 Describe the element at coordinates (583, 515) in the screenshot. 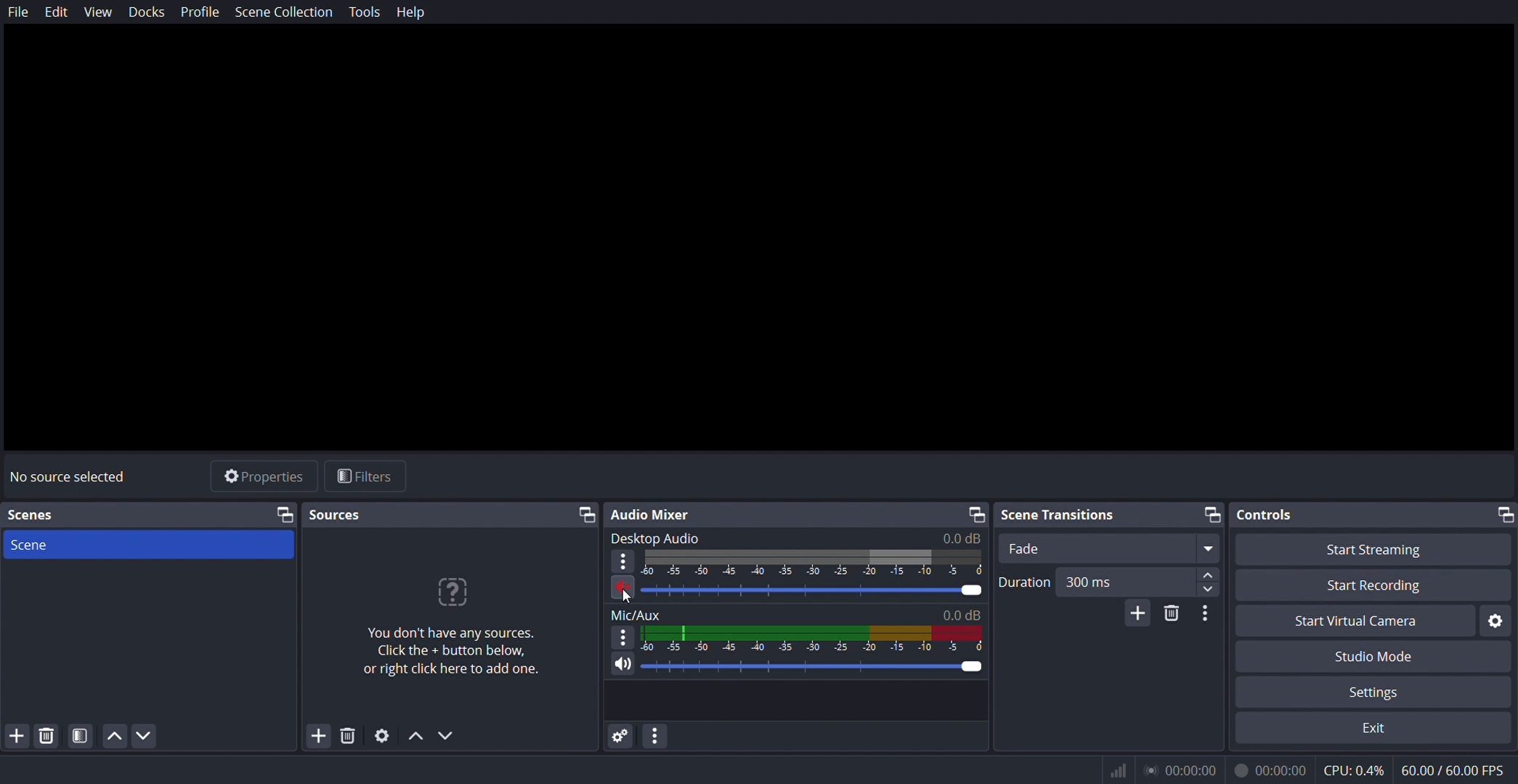

I see `restore` at that location.